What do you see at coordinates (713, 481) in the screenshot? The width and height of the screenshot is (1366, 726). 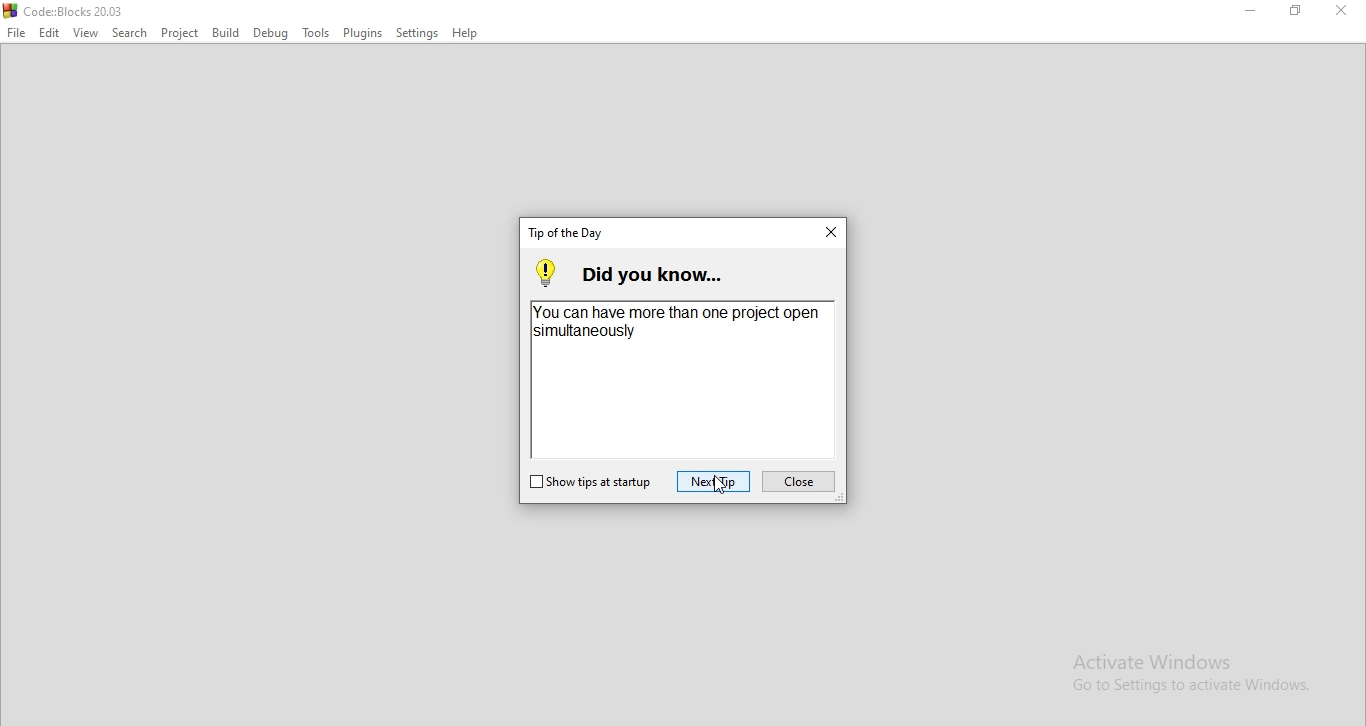 I see `next tip` at bounding box center [713, 481].